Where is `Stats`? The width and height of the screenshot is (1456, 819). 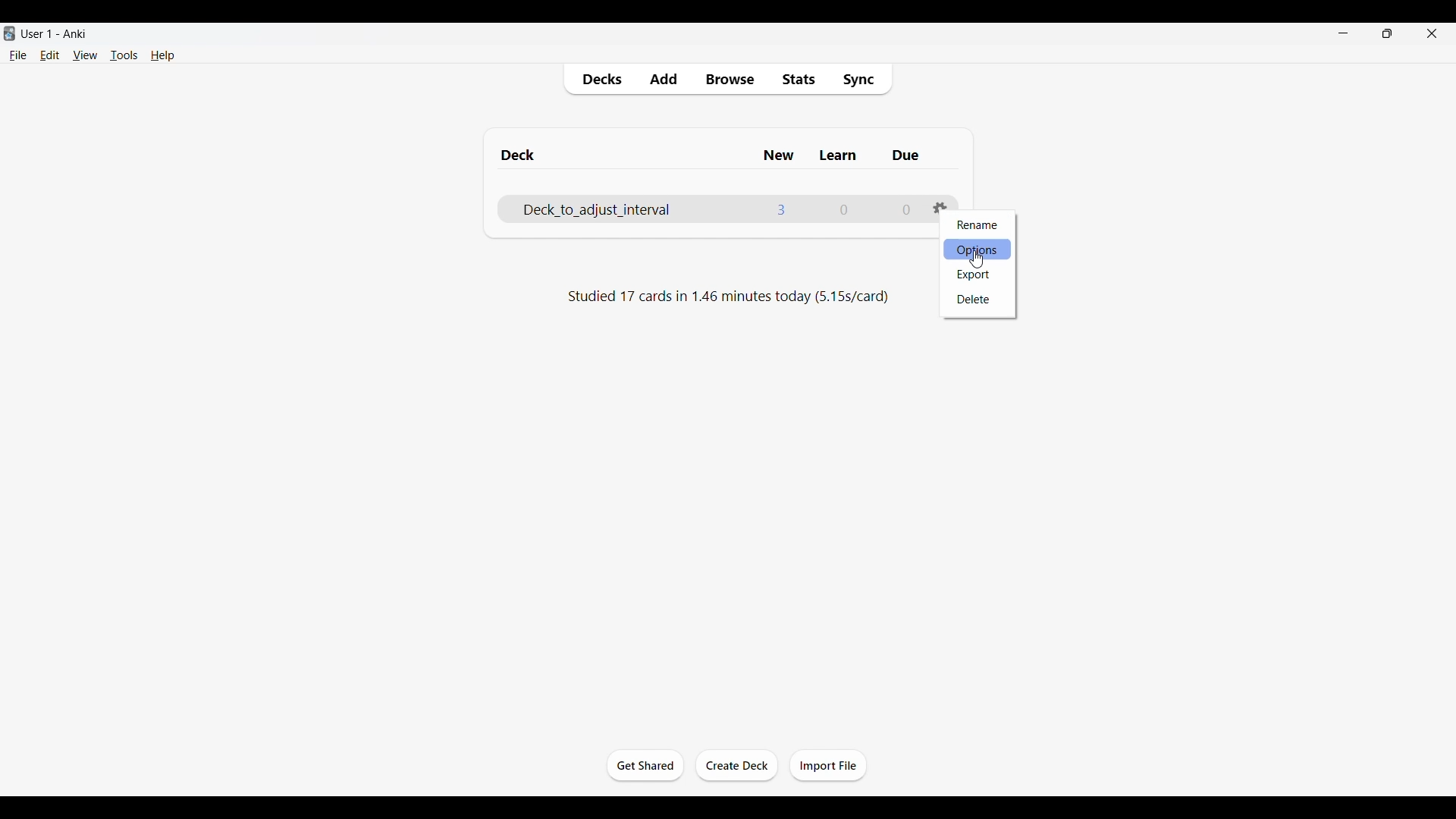
Stats is located at coordinates (799, 80).